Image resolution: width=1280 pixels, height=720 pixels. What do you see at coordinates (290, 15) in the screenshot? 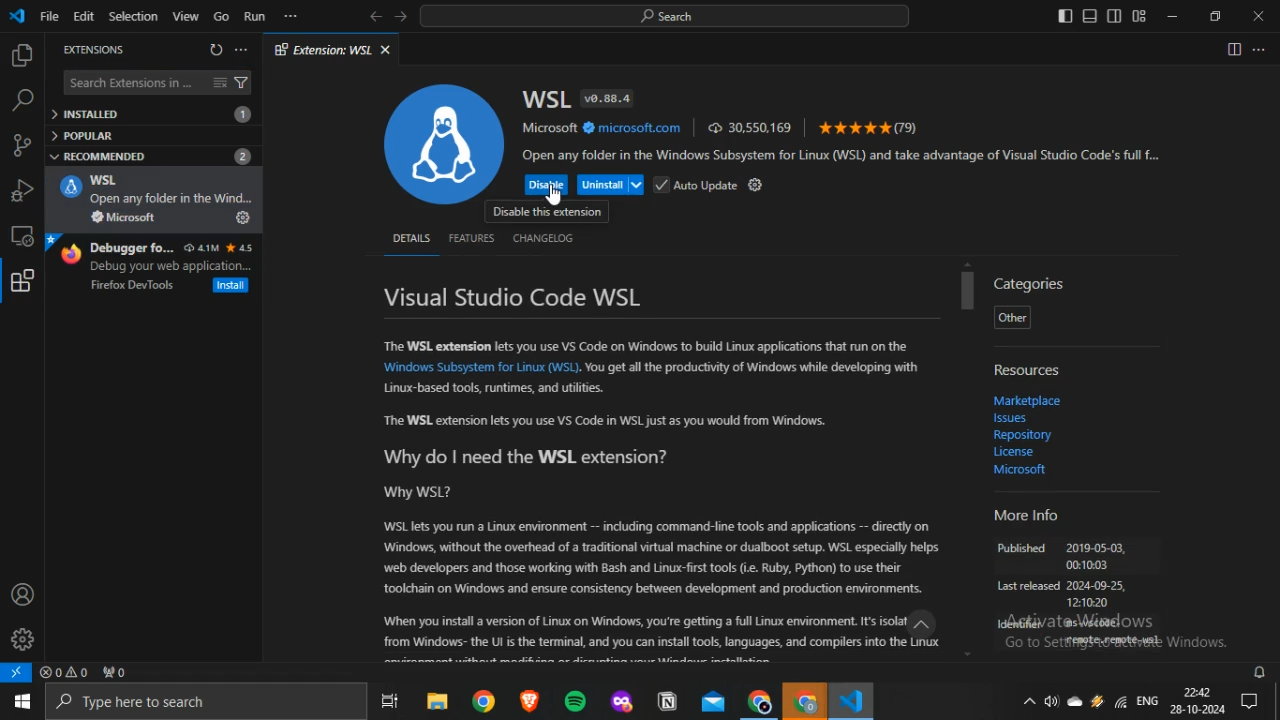
I see `more options` at bounding box center [290, 15].